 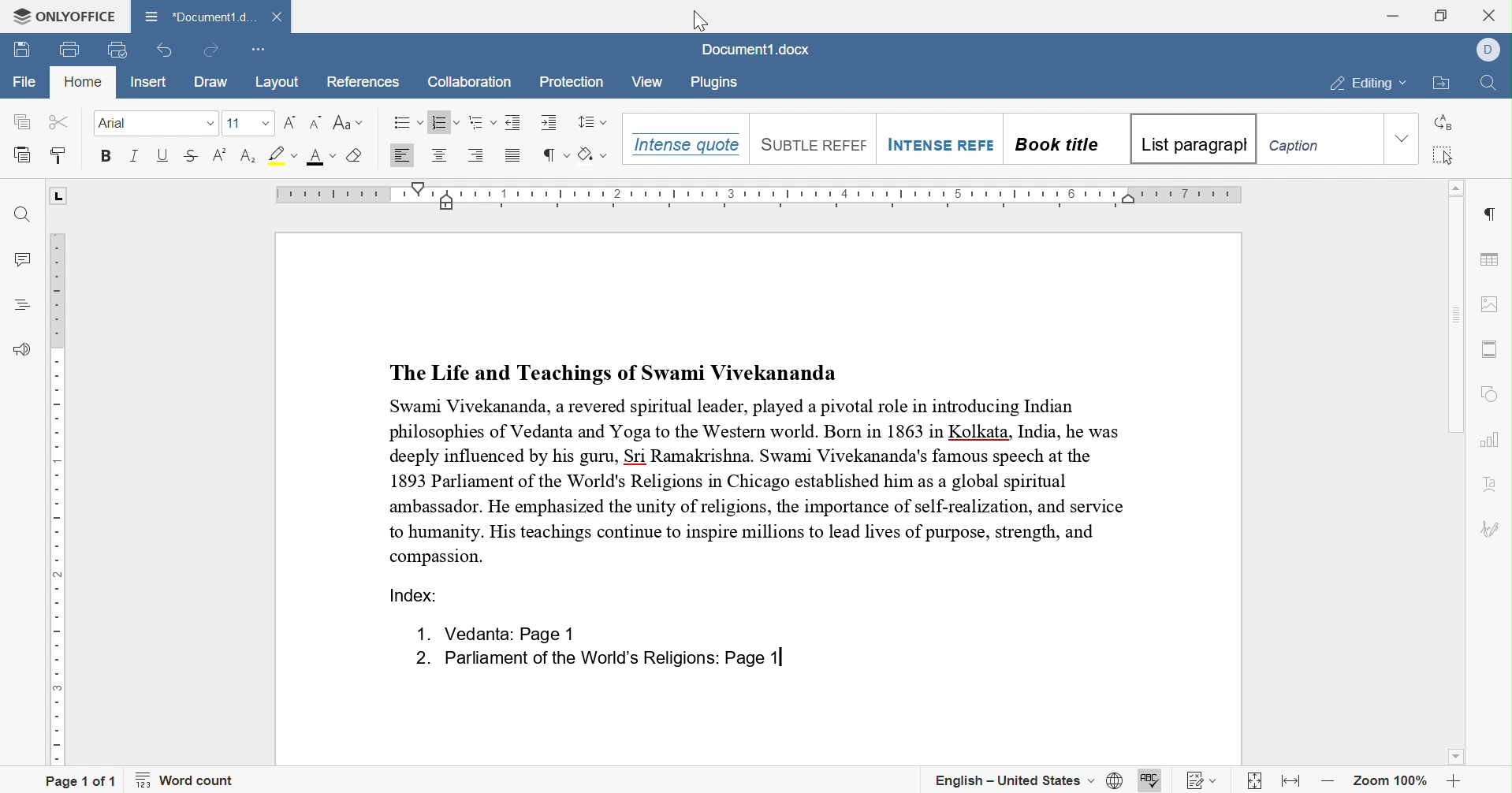 What do you see at coordinates (81, 781) in the screenshot?
I see `page 1 of 1` at bounding box center [81, 781].